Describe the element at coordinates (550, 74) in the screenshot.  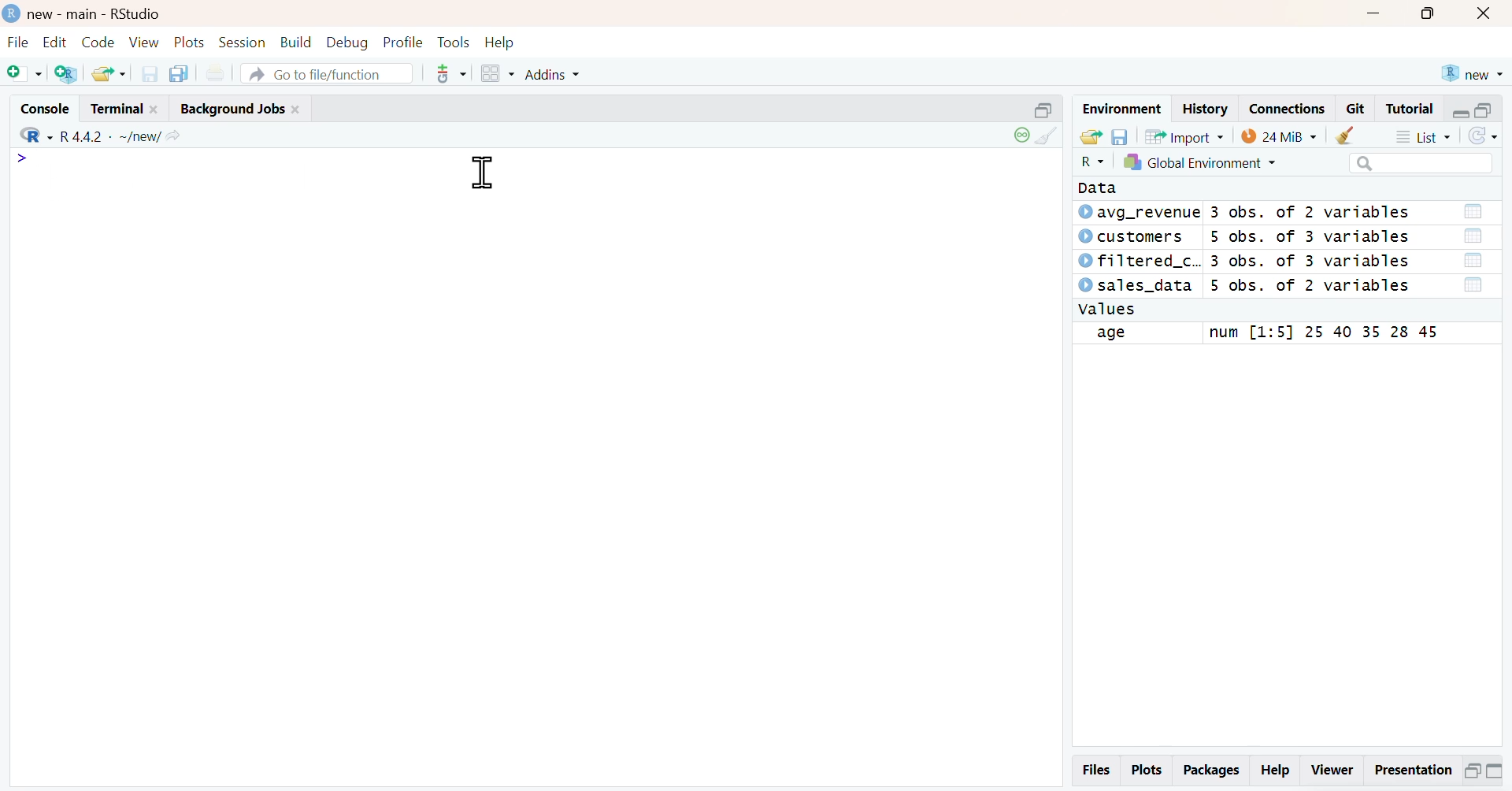
I see `Addins` at that location.